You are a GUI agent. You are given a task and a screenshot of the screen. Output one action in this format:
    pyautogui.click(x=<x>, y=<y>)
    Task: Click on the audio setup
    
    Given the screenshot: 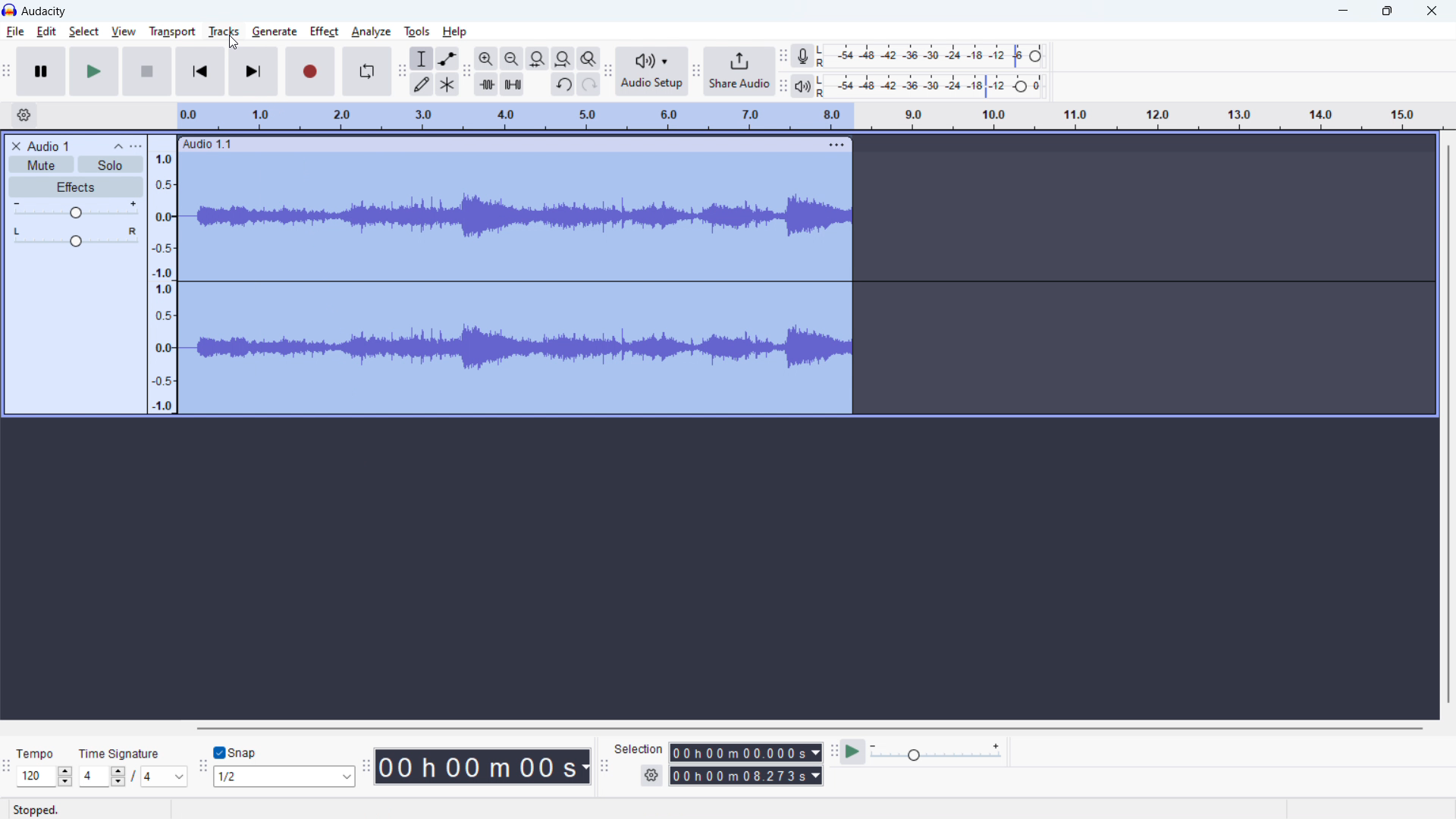 What is the action you would take?
    pyautogui.click(x=653, y=72)
    